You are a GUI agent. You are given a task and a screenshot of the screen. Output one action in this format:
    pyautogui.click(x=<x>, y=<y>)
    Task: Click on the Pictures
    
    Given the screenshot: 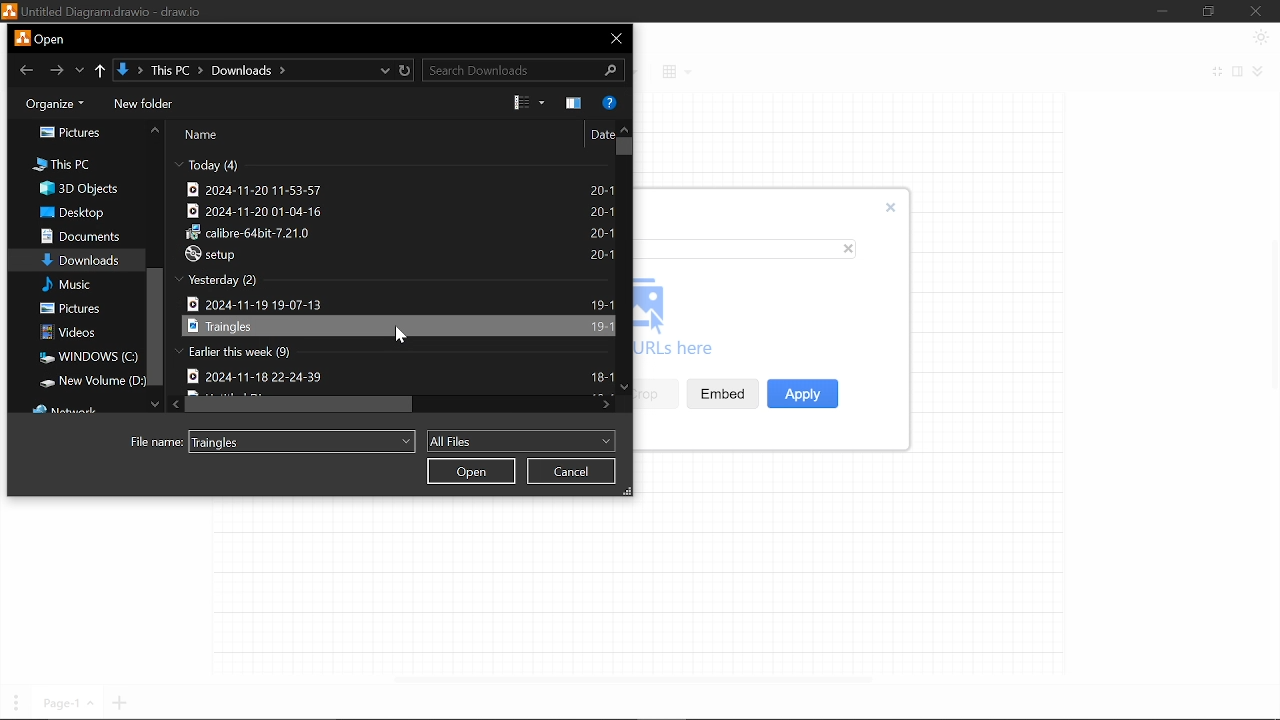 What is the action you would take?
    pyautogui.click(x=62, y=307)
    